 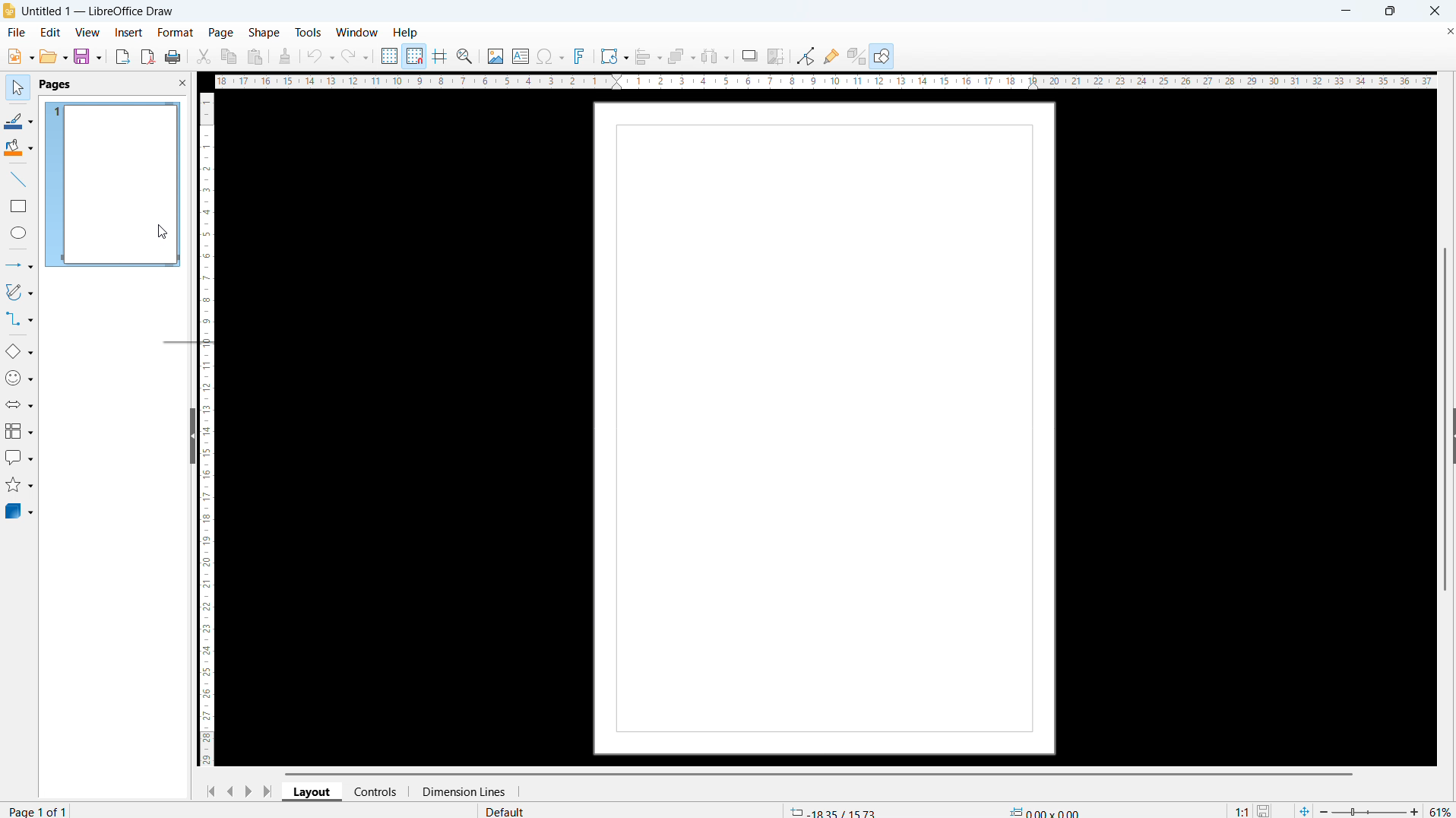 What do you see at coordinates (19, 120) in the screenshot?
I see `line color` at bounding box center [19, 120].